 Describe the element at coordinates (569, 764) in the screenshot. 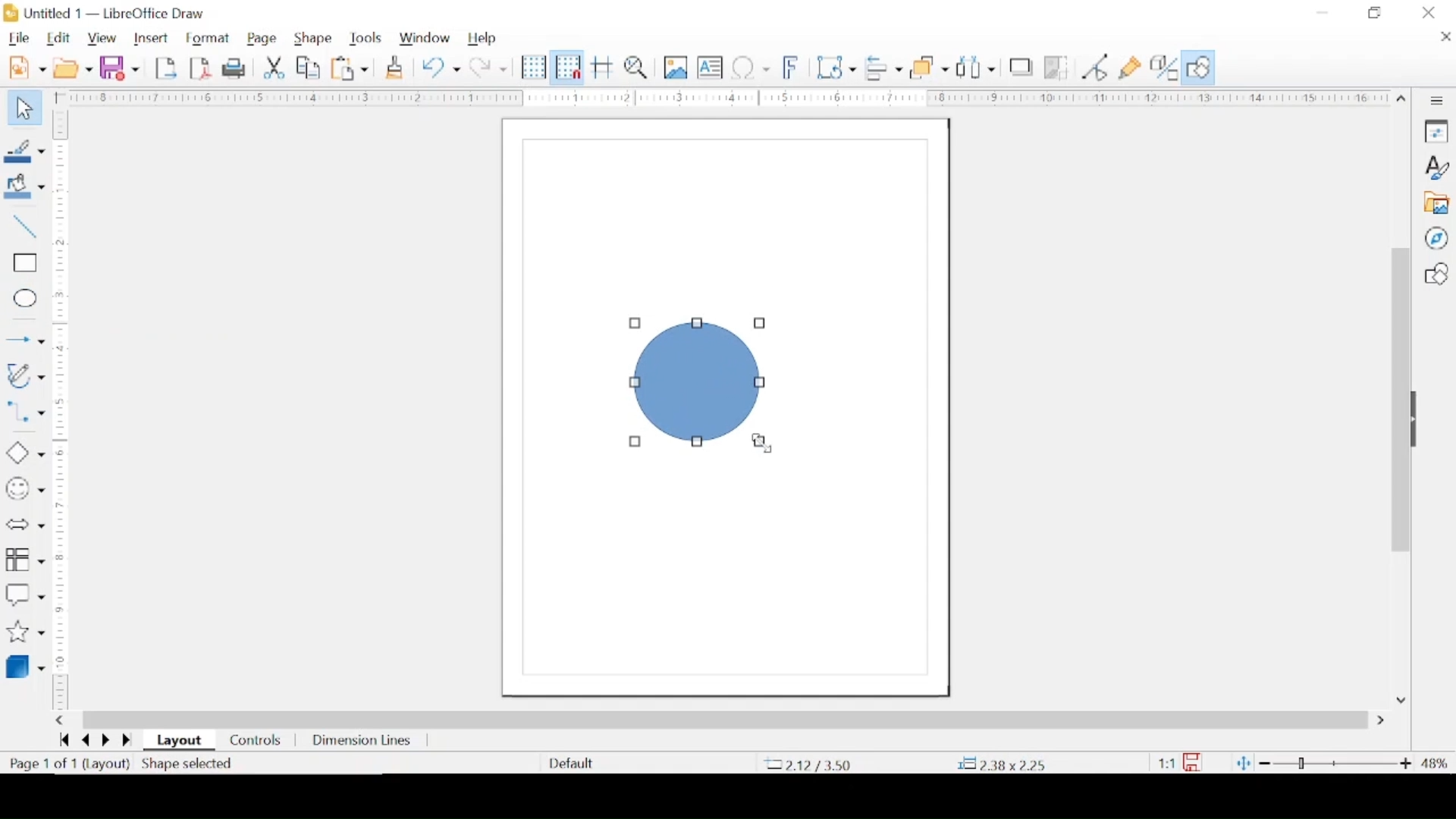

I see `deafult` at that location.